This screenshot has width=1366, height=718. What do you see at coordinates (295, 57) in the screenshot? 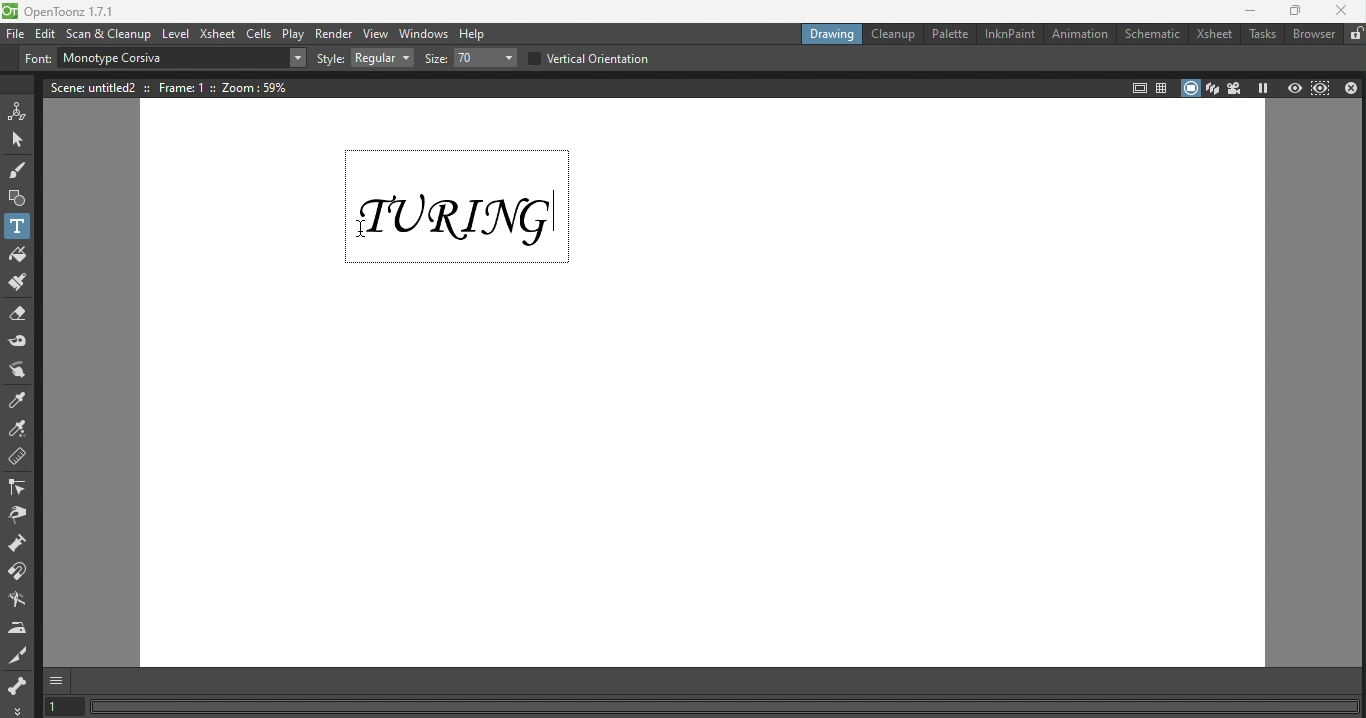
I see `Drop down` at bounding box center [295, 57].